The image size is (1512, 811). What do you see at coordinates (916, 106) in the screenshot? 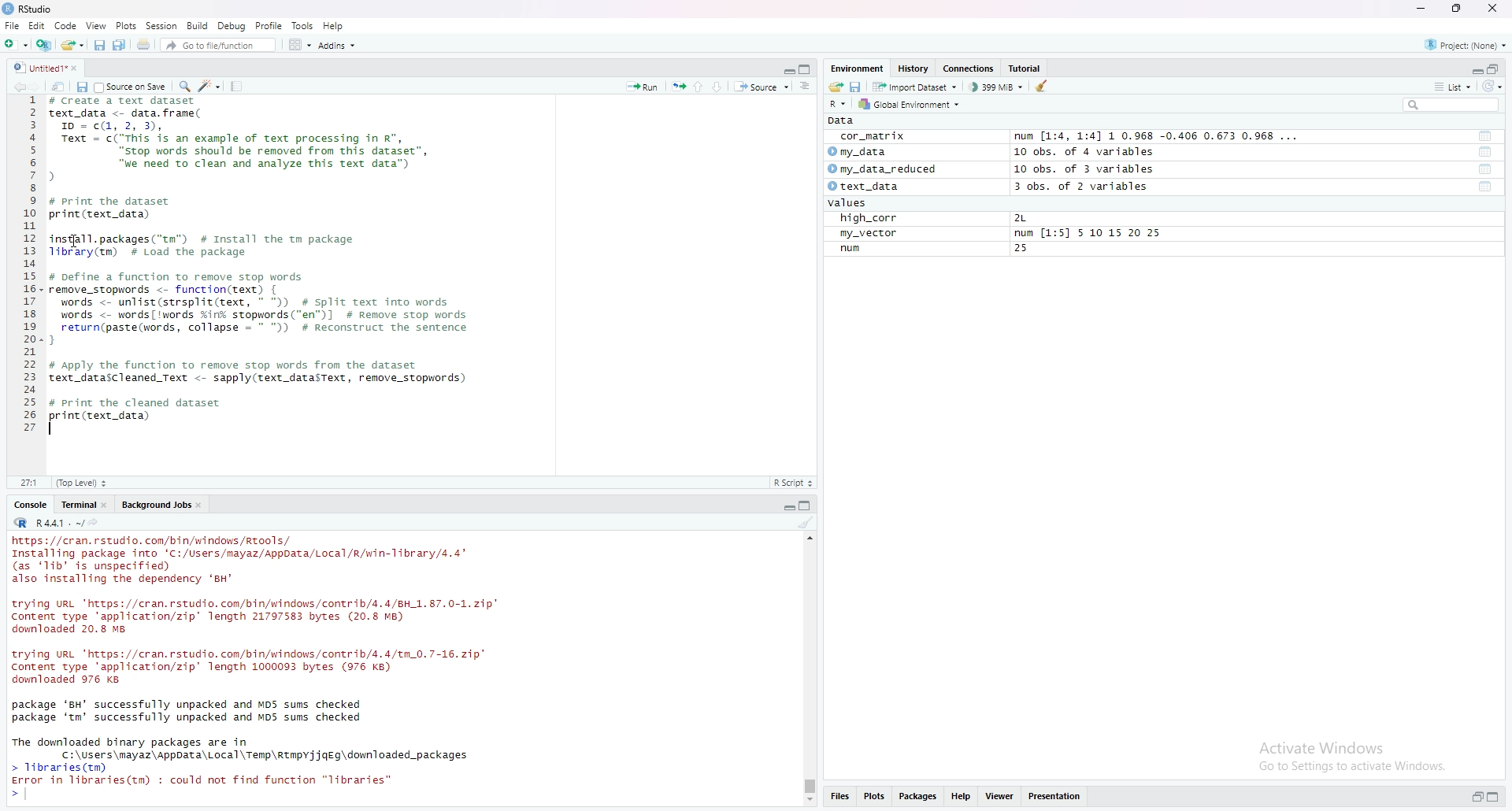
I see `global environment` at bounding box center [916, 106].